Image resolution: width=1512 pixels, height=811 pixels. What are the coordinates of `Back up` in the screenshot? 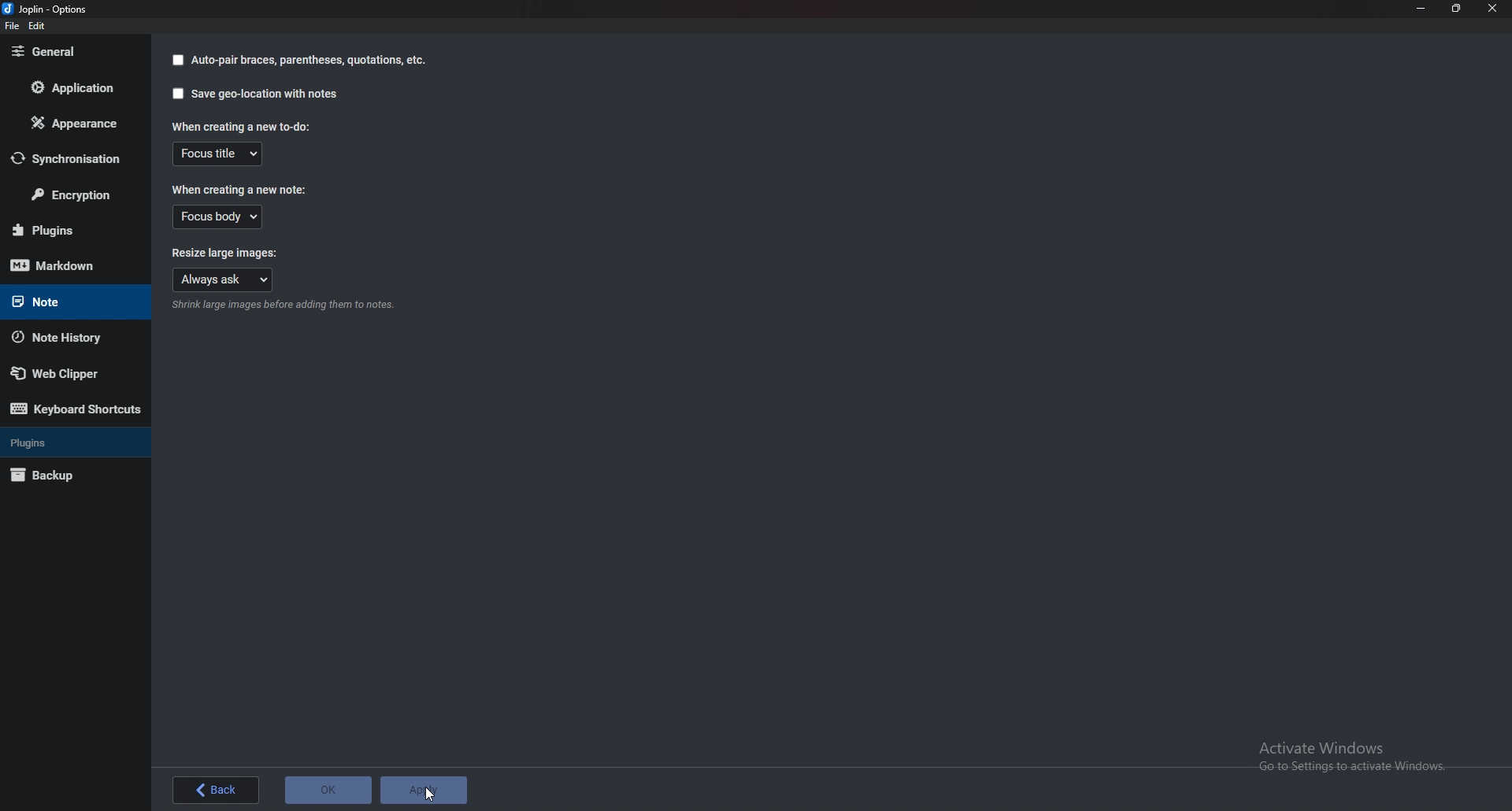 It's located at (59, 476).